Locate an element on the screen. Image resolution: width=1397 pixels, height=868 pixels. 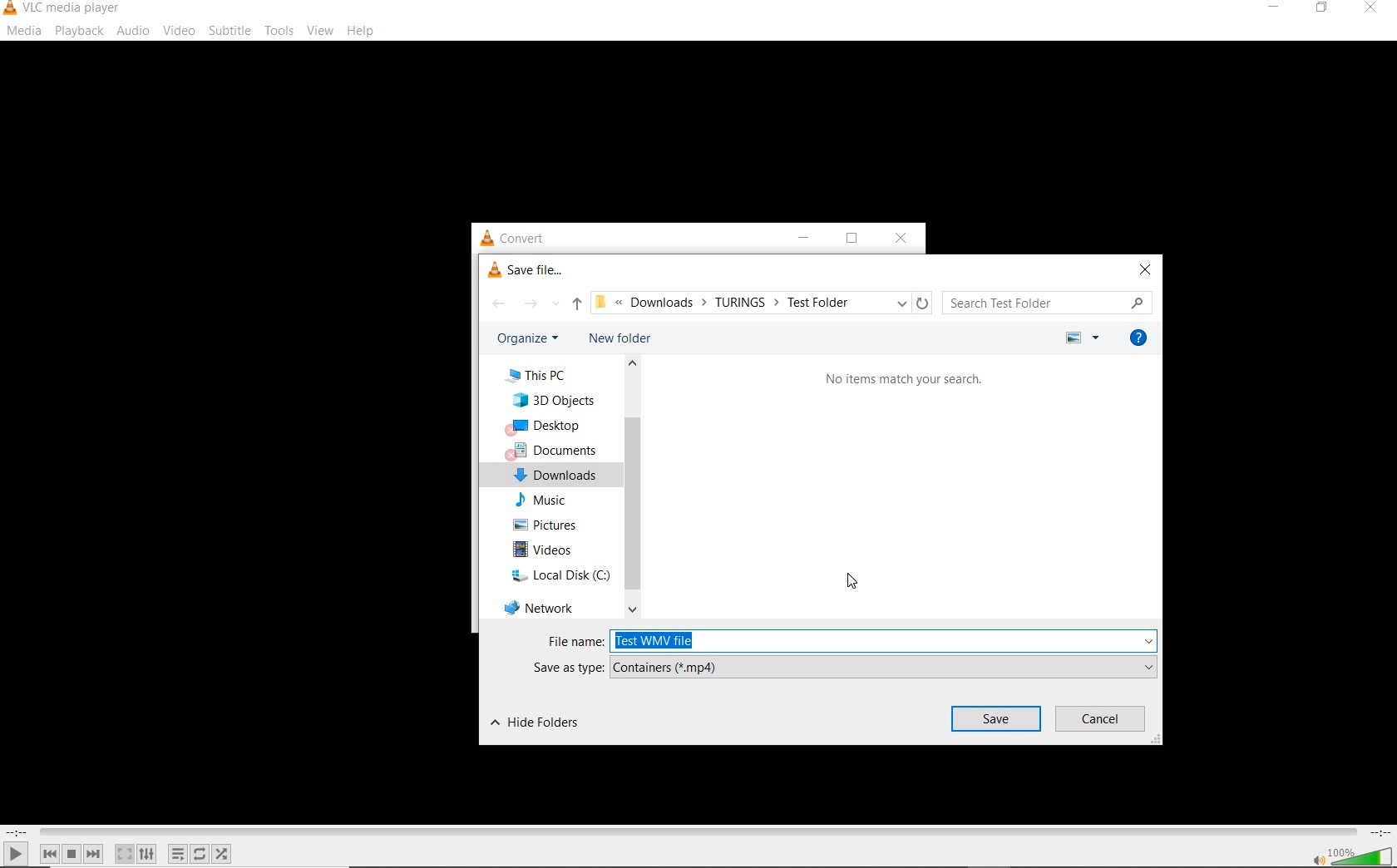
video is located at coordinates (179, 31).